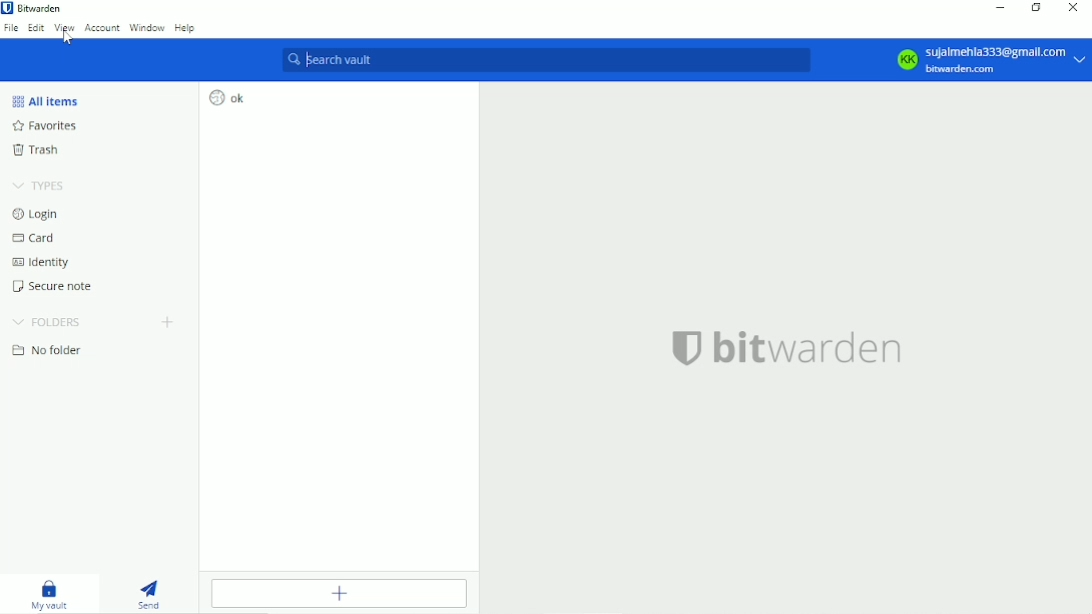 This screenshot has width=1092, height=614. What do you see at coordinates (46, 99) in the screenshot?
I see `All items` at bounding box center [46, 99].